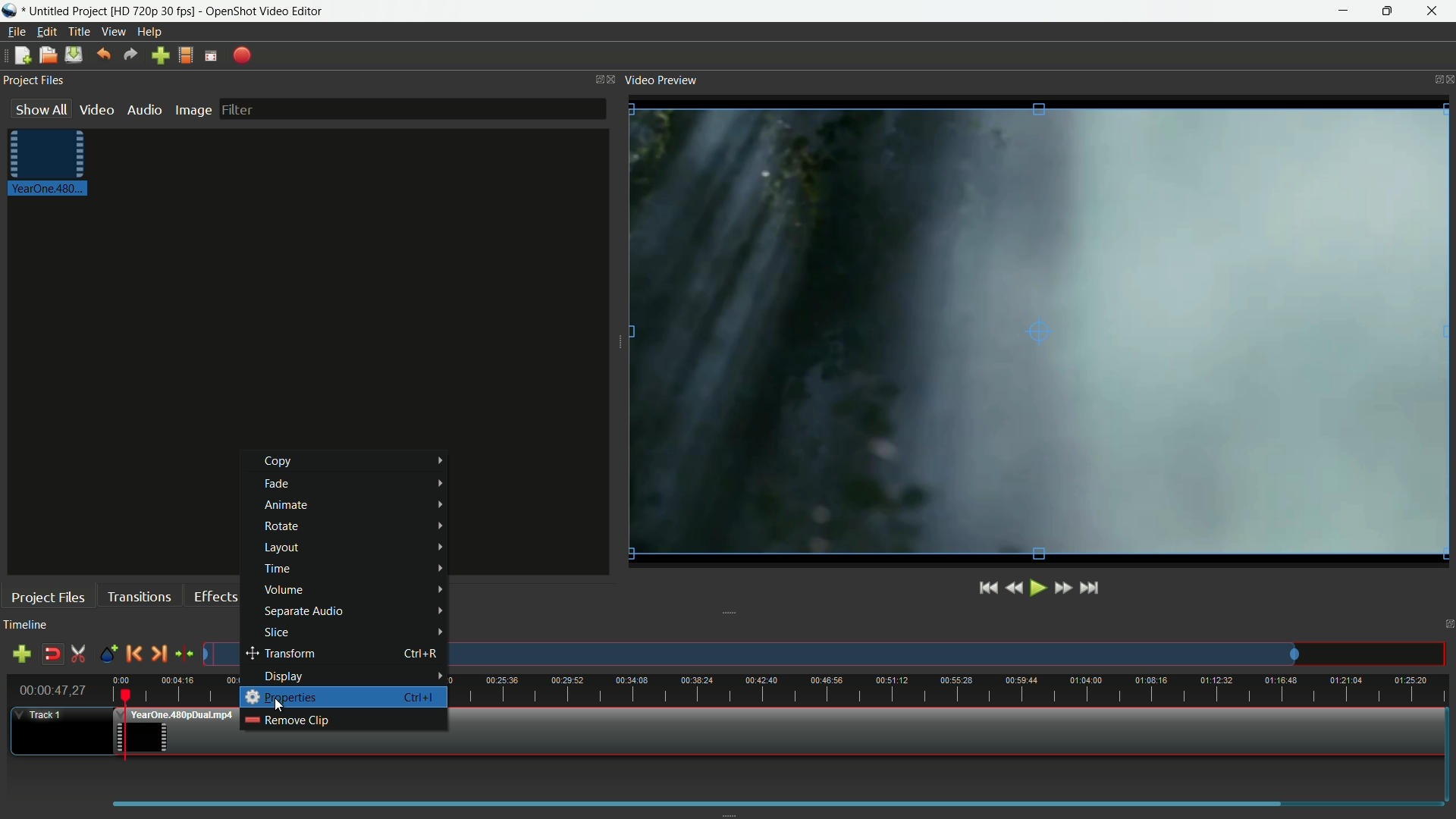 Image resolution: width=1456 pixels, height=819 pixels. Describe the element at coordinates (80, 32) in the screenshot. I see `title menu` at that location.